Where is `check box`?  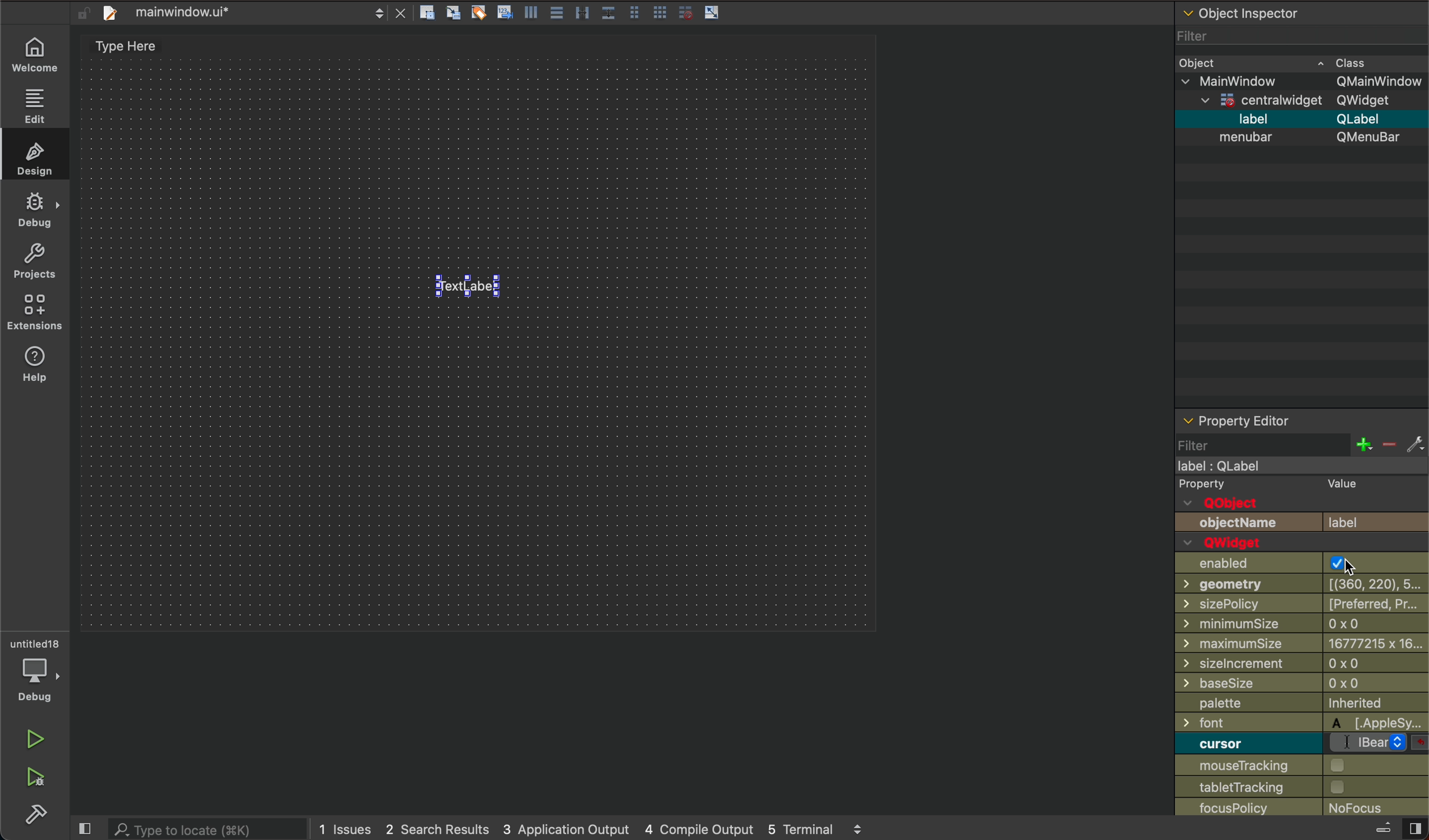
check box is located at coordinates (1342, 563).